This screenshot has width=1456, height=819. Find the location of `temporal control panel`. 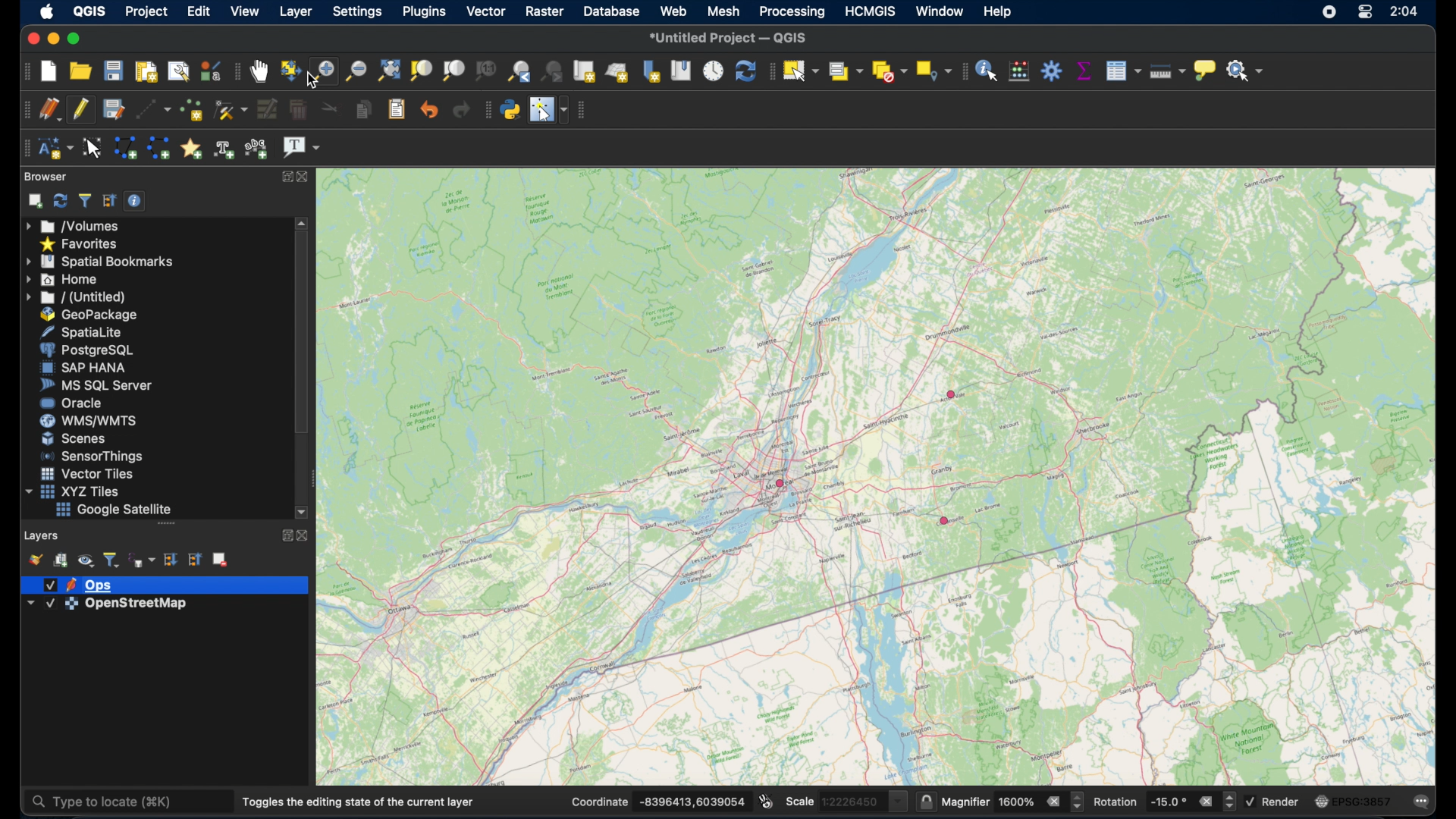

temporal control panel is located at coordinates (714, 71).